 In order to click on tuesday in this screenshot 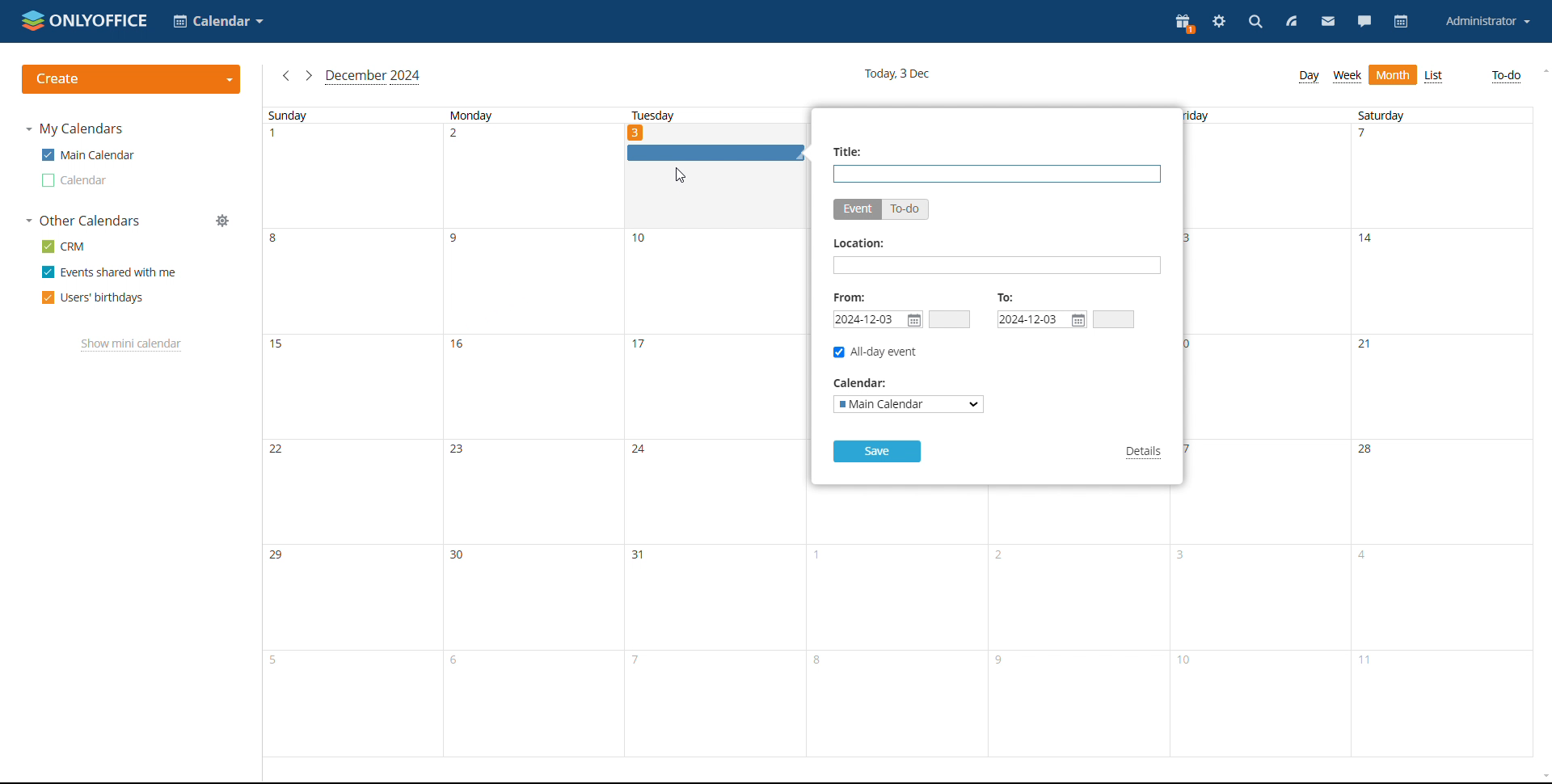, I will do `click(656, 114)`.